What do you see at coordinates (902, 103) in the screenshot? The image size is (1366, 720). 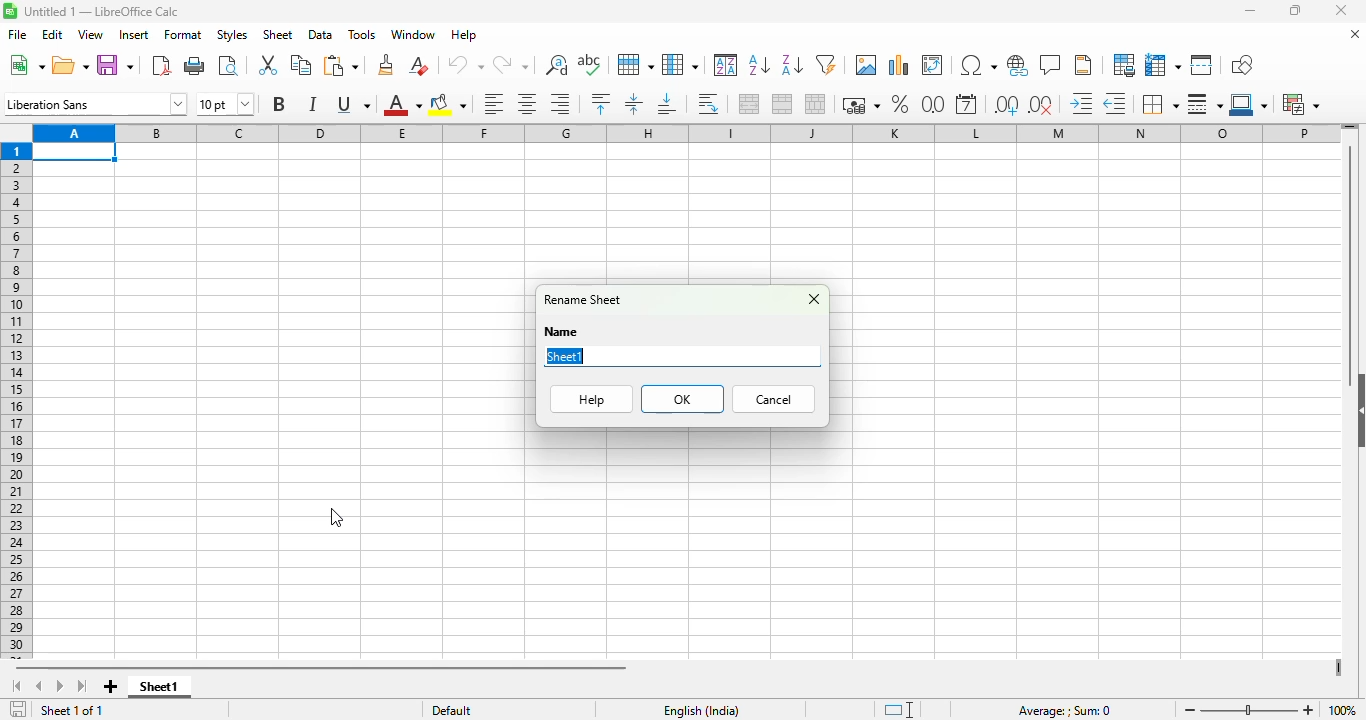 I see `format as percent` at bounding box center [902, 103].